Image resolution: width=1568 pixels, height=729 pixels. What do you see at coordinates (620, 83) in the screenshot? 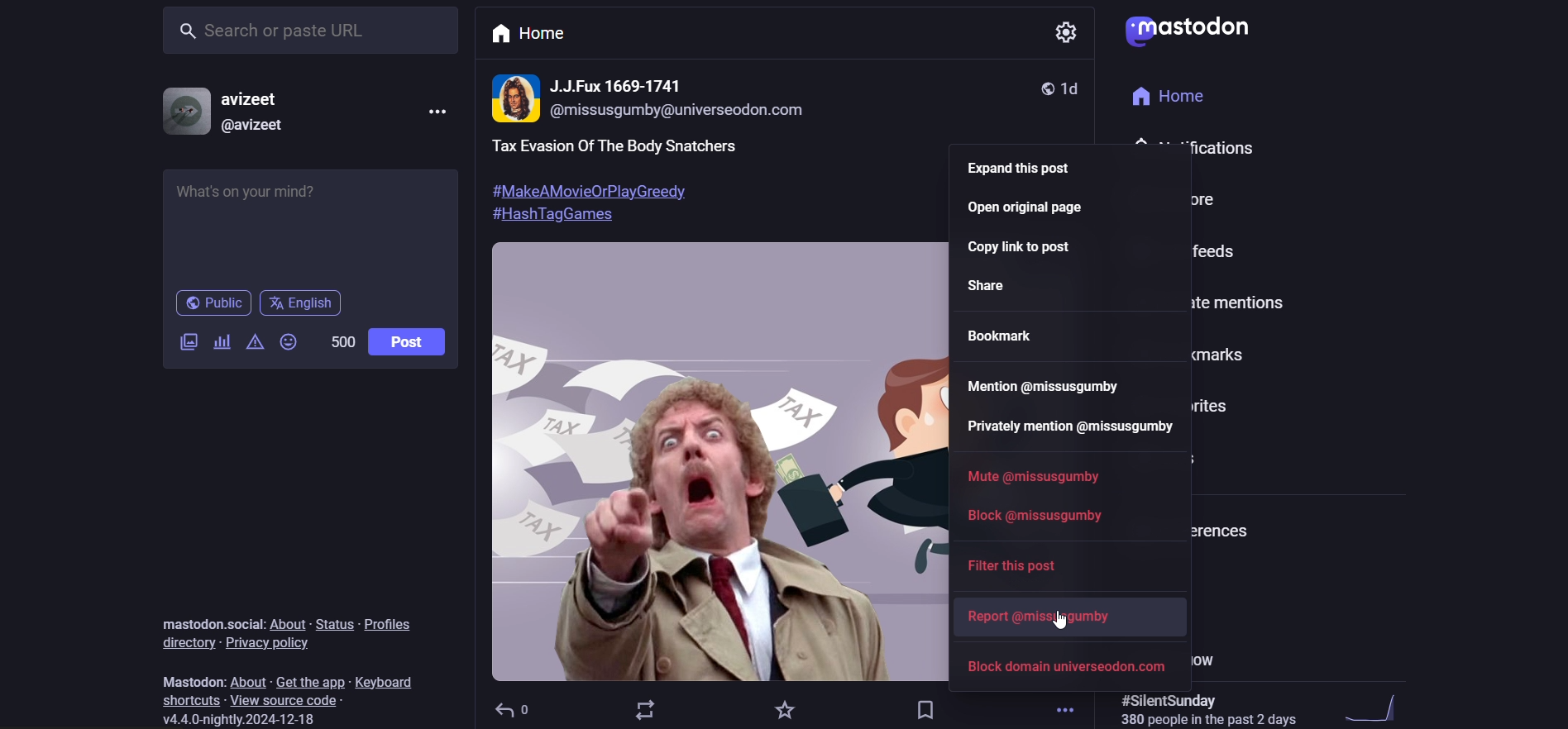
I see `name` at bounding box center [620, 83].